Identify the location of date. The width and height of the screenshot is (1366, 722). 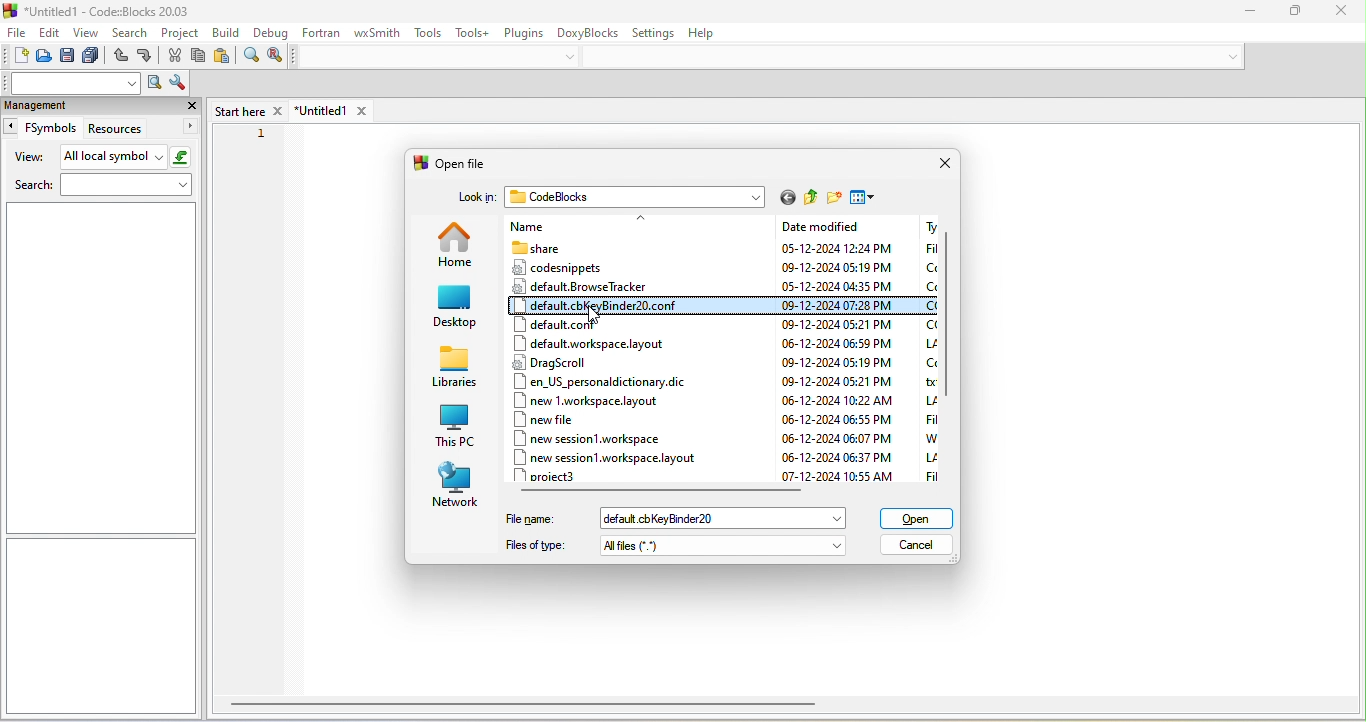
(834, 400).